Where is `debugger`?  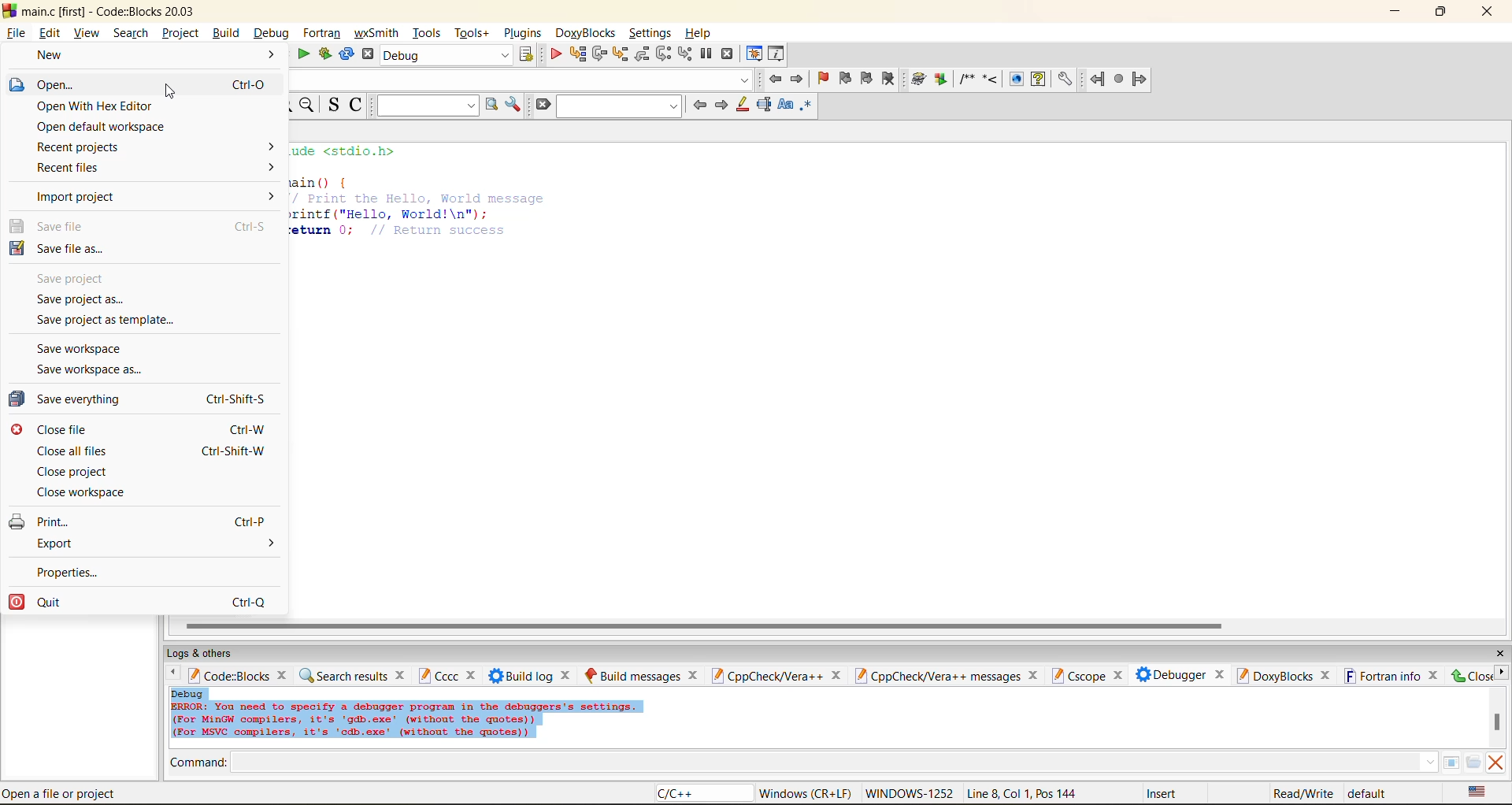
debugger is located at coordinates (1170, 674).